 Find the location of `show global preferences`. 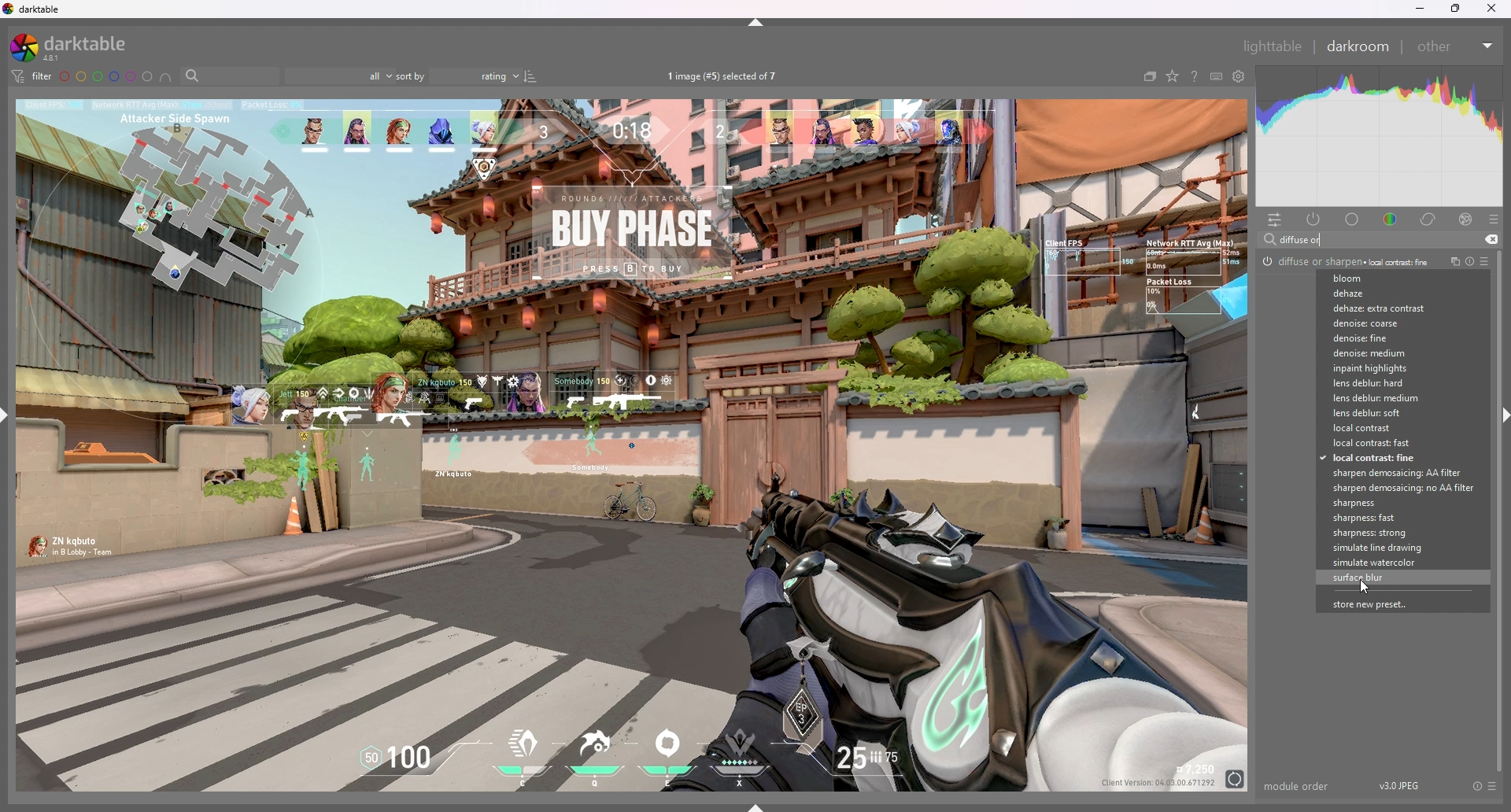

show global preferences is located at coordinates (1239, 76).